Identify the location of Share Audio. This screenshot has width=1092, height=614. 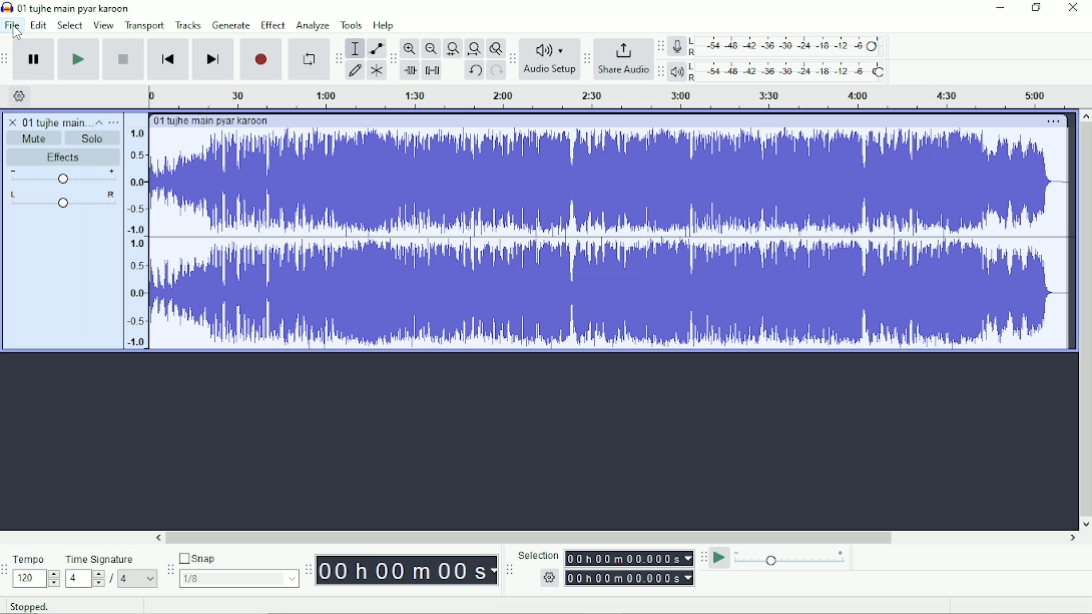
(624, 60).